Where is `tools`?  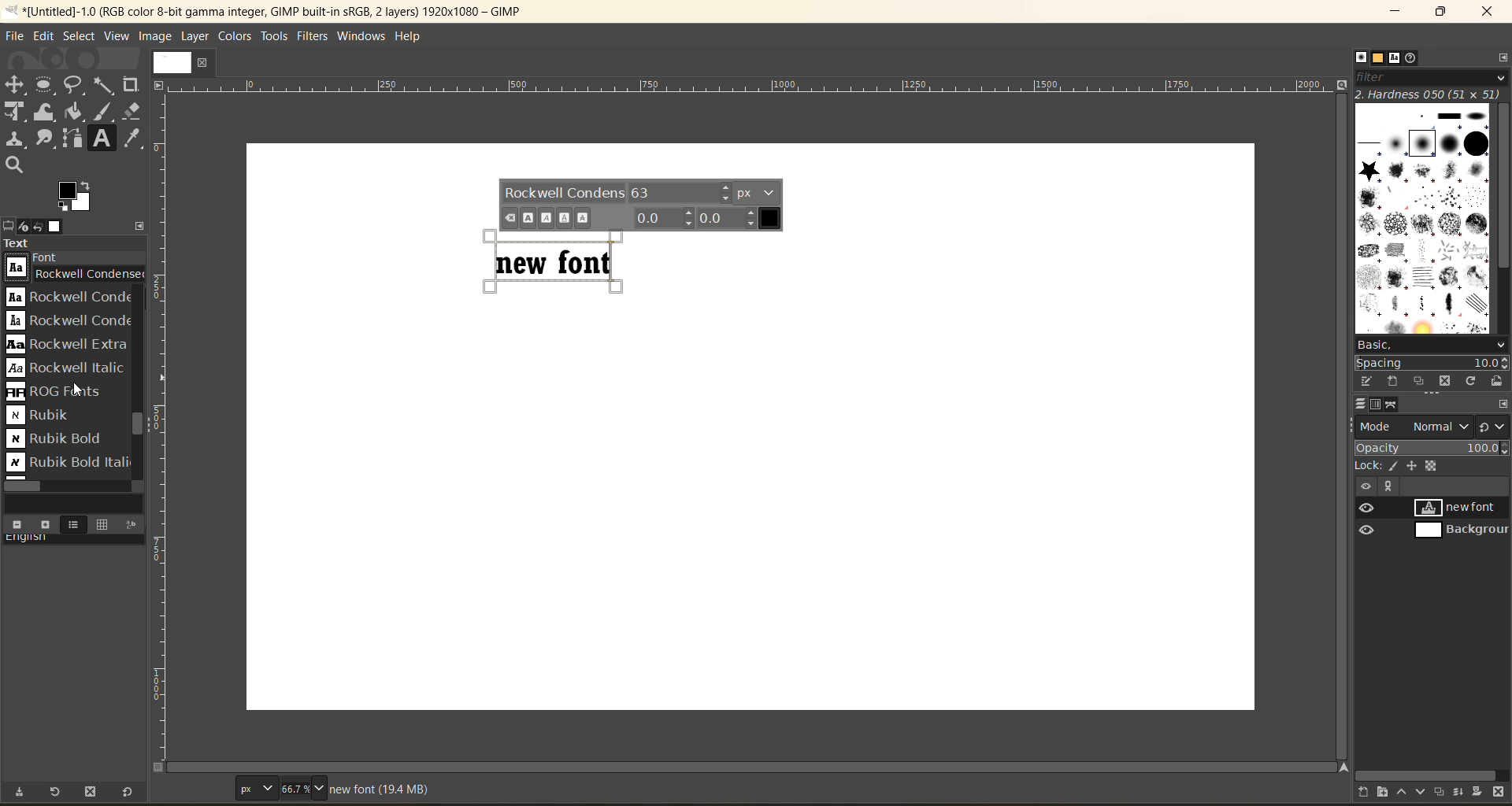
tools is located at coordinates (76, 126).